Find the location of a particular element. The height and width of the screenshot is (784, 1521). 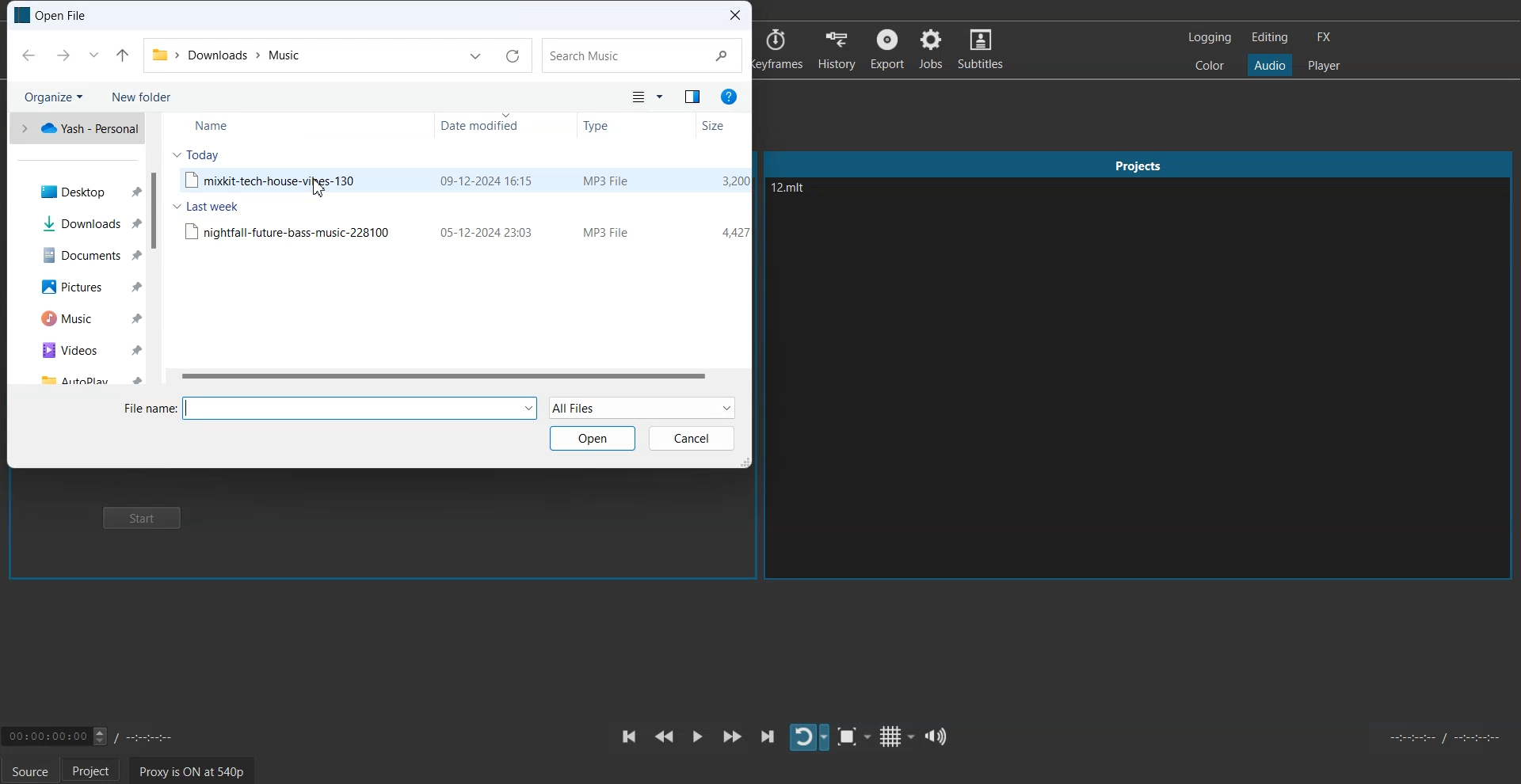

Up to last file is located at coordinates (123, 55).